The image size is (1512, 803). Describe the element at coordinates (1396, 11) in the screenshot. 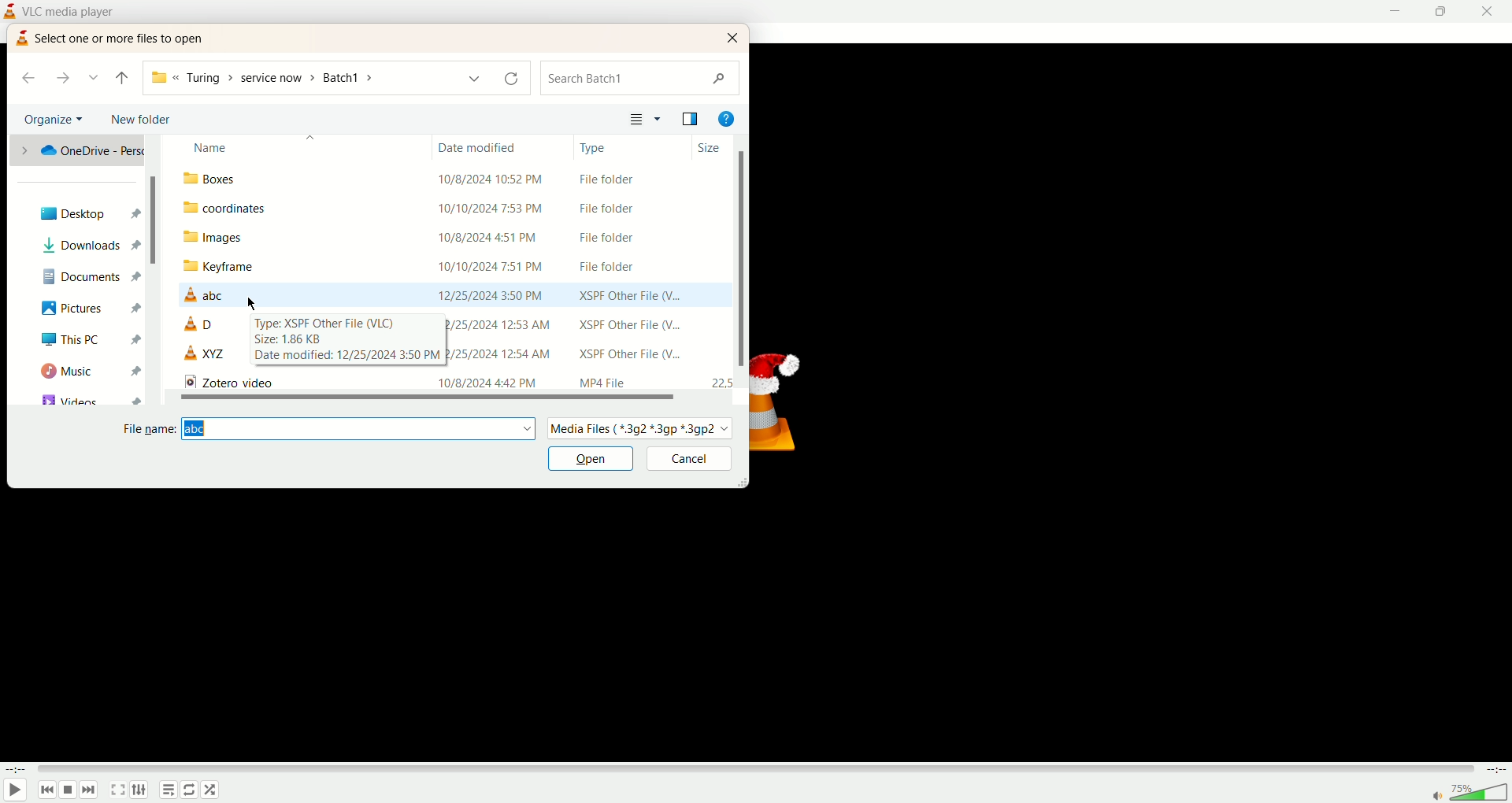

I see `minimize` at that location.